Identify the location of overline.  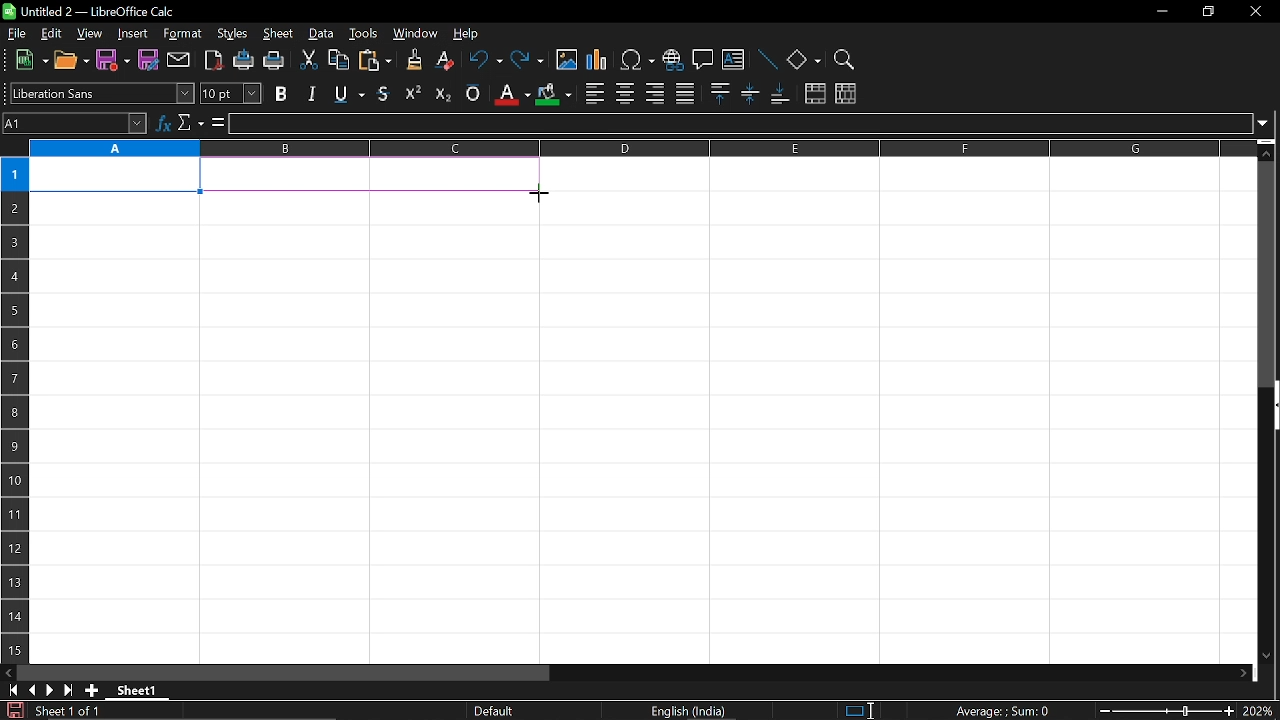
(473, 94).